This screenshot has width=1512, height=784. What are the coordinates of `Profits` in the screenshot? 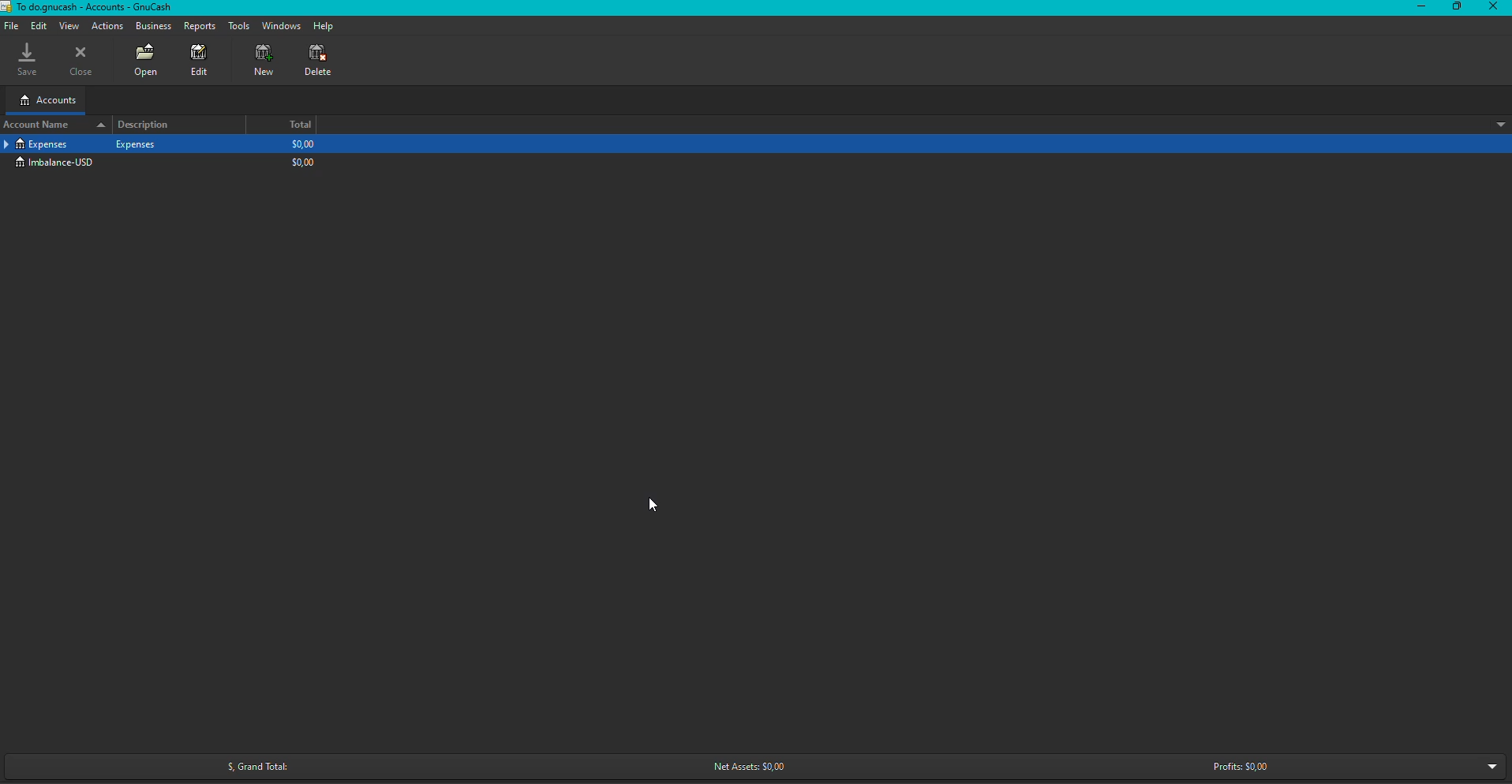 It's located at (1244, 768).